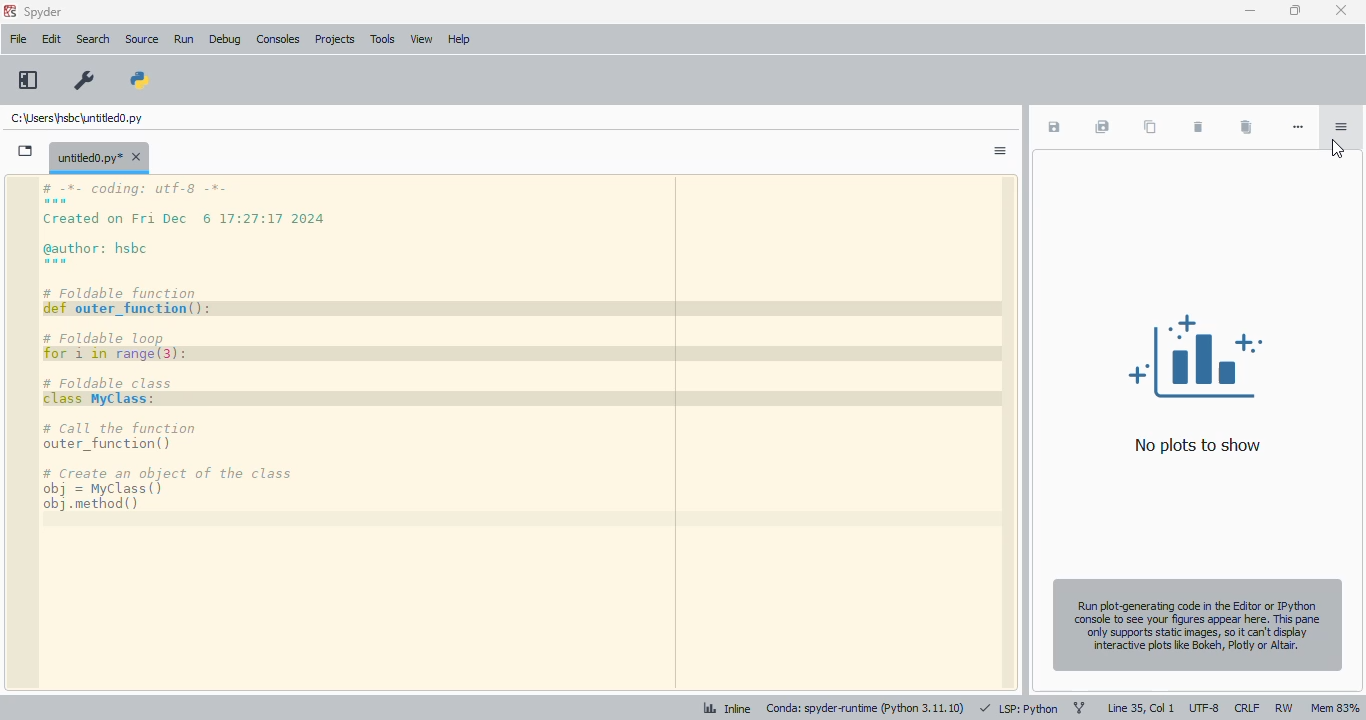 Image resolution: width=1366 pixels, height=720 pixels. What do you see at coordinates (1140, 708) in the screenshot?
I see `line 35, col 1` at bounding box center [1140, 708].